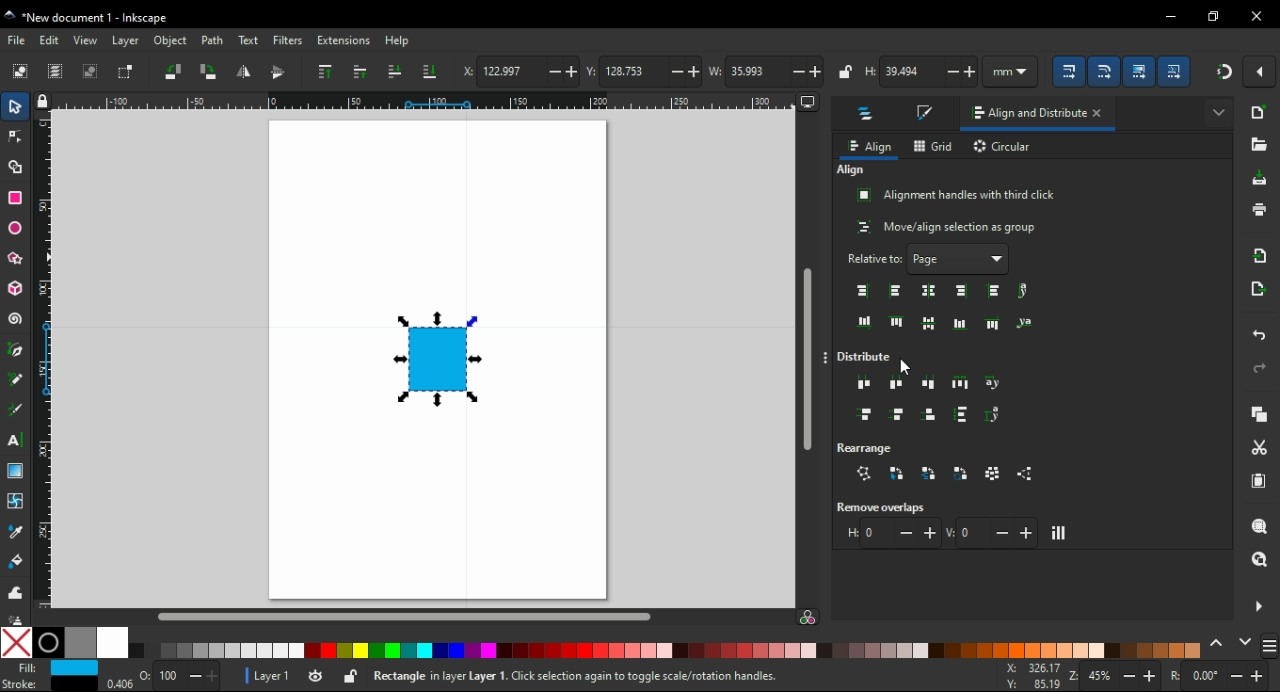 This screenshot has width=1280, height=692. Describe the element at coordinates (18, 440) in the screenshot. I see `text tool` at that location.